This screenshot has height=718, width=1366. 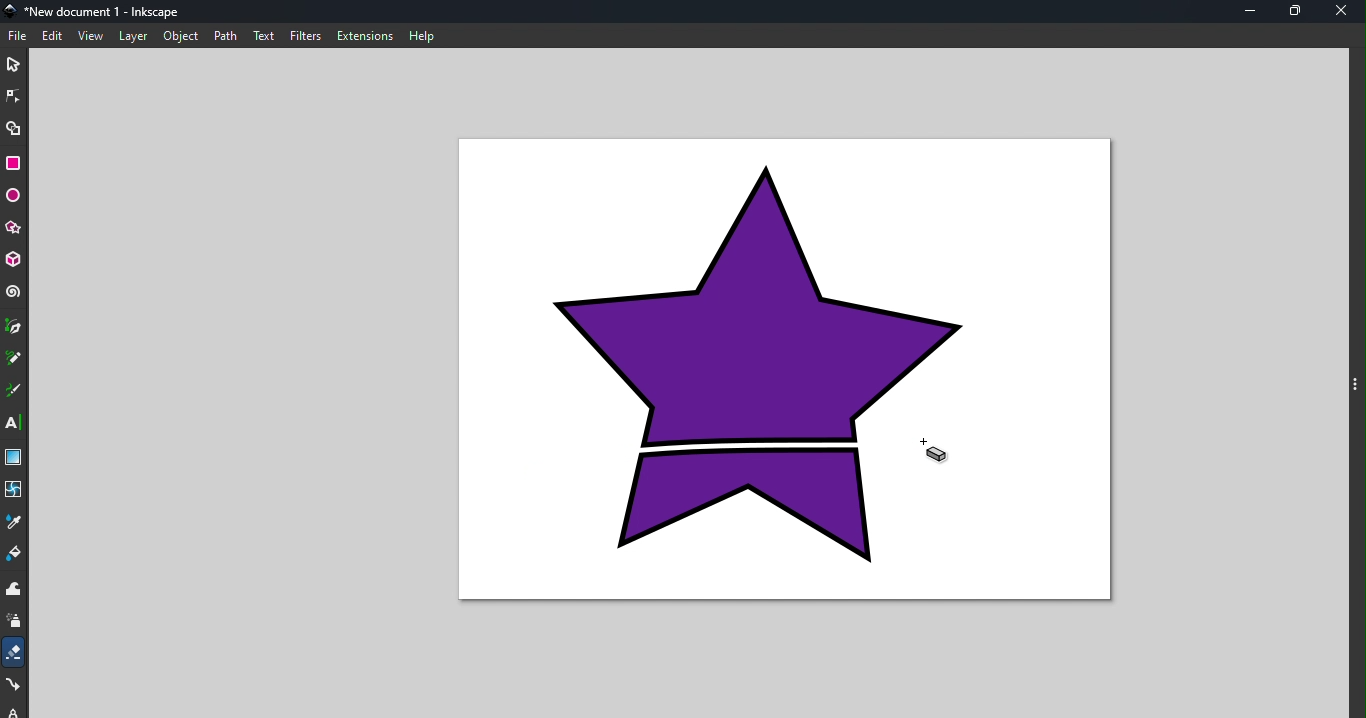 What do you see at coordinates (98, 10) in the screenshot?
I see `file name` at bounding box center [98, 10].